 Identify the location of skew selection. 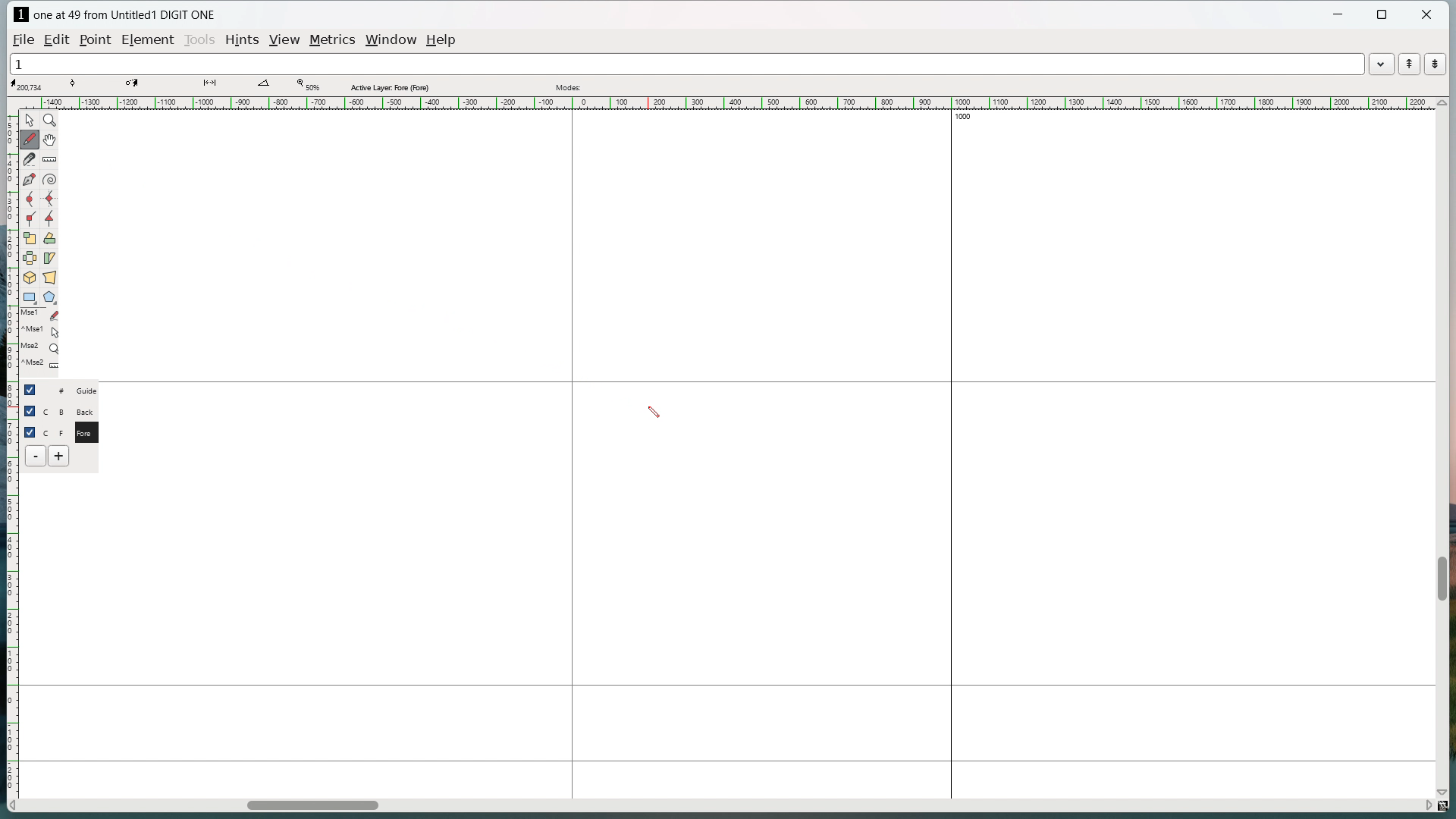
(50, 258).